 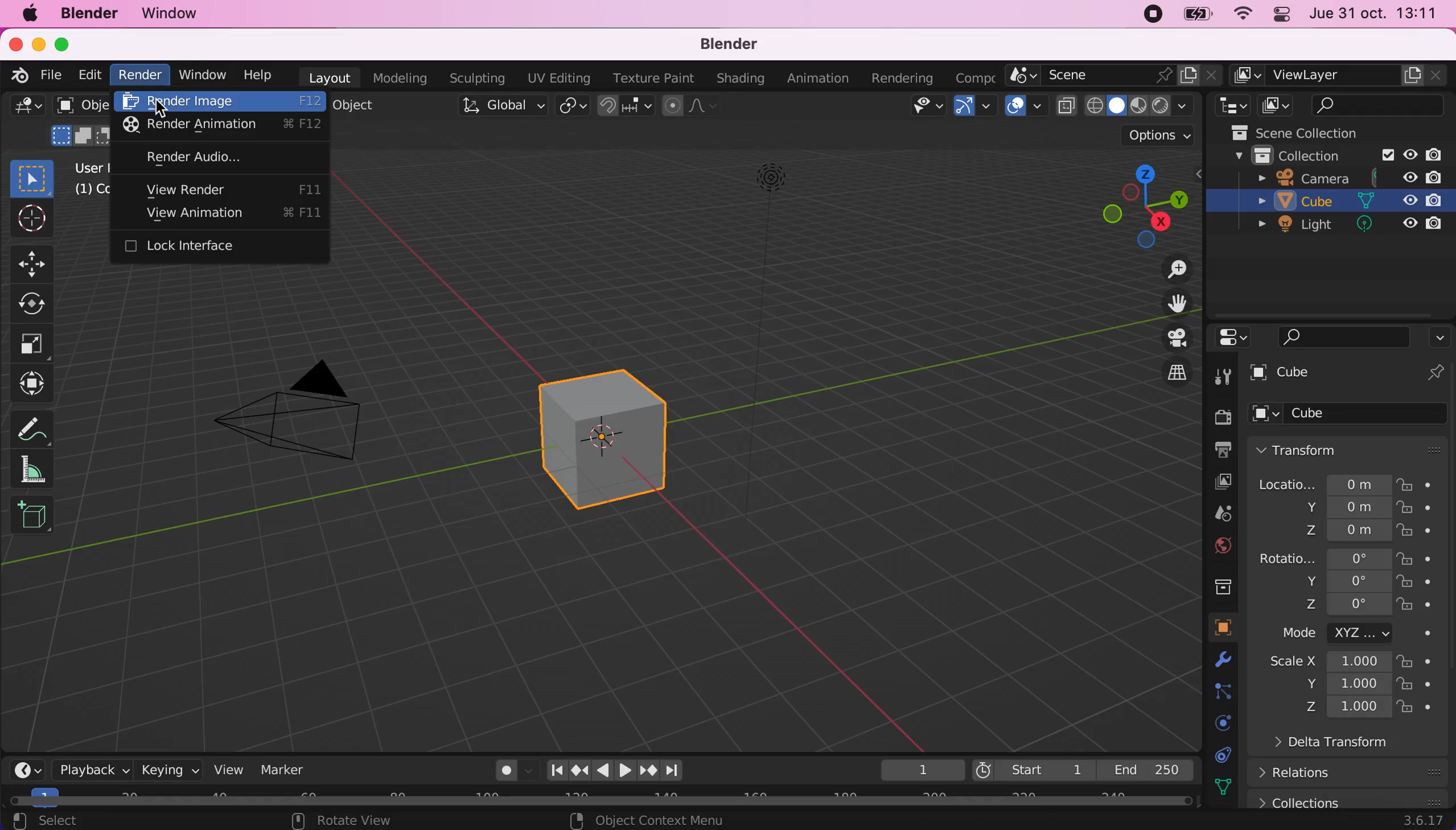 What do you see at coordinates (1150, 15) in the screenshot?
I see `recording stopped` at bounding box center [1150, 15].